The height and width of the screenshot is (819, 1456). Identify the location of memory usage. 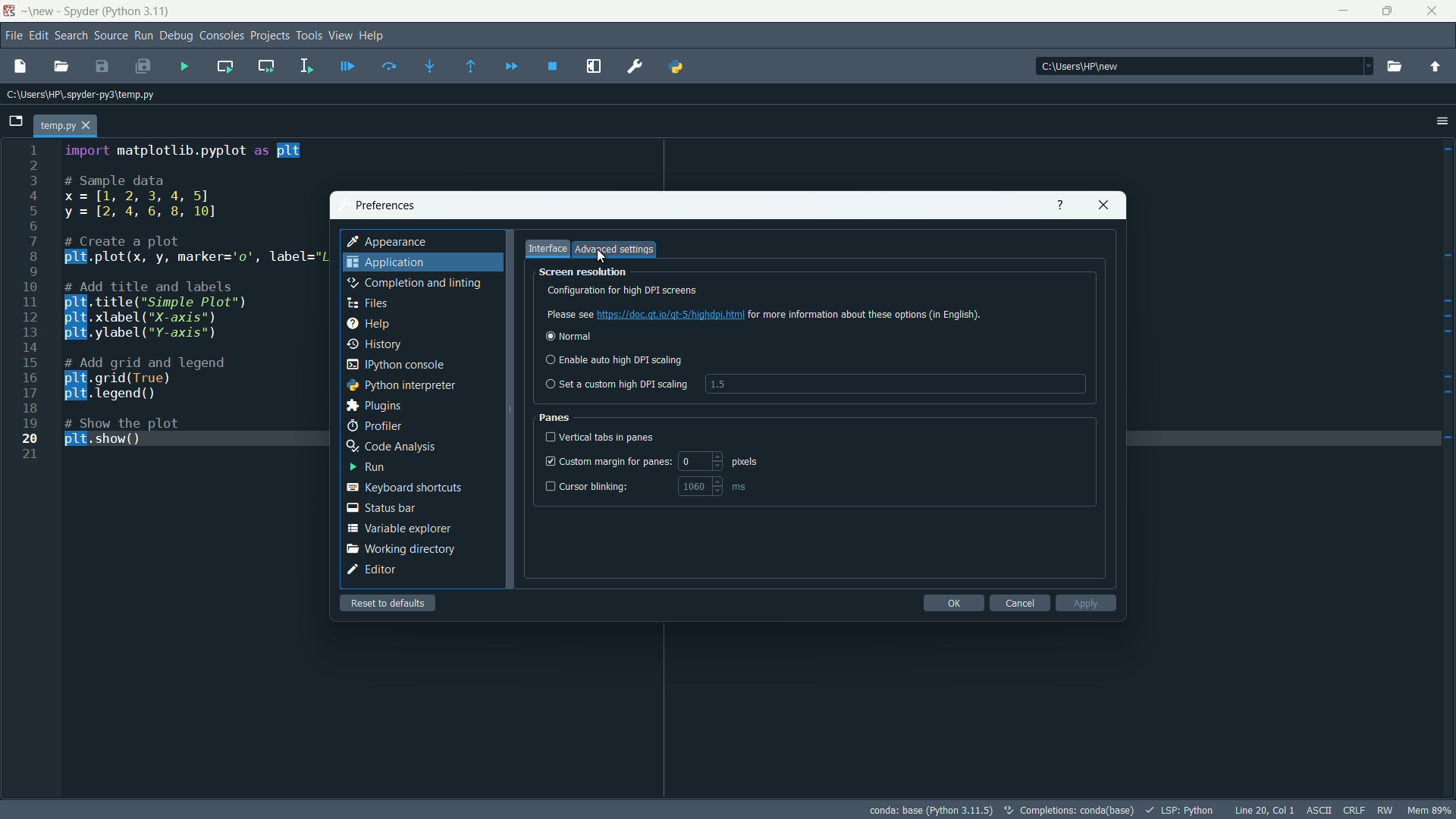
(1432, 810).